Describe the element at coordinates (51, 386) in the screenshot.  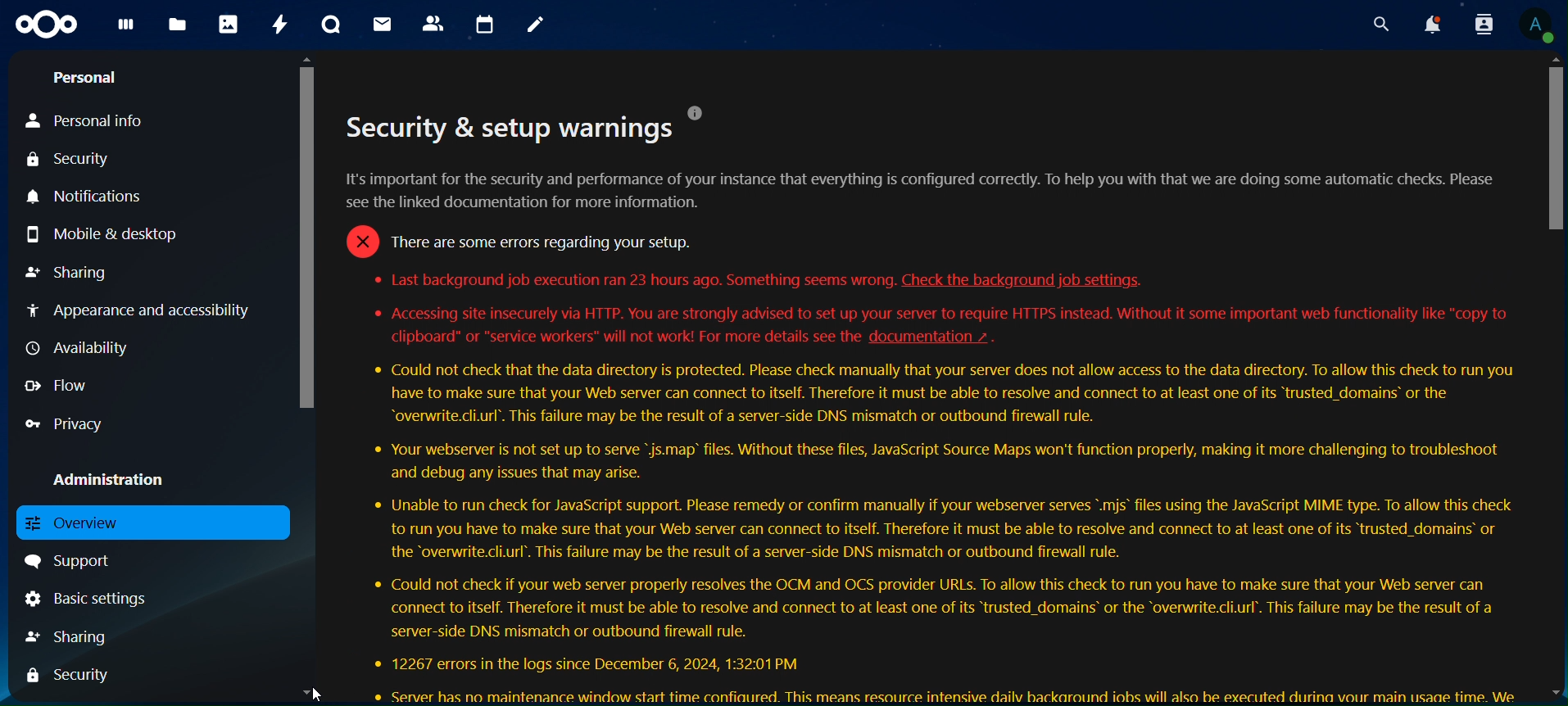
I see `flow` at that location.